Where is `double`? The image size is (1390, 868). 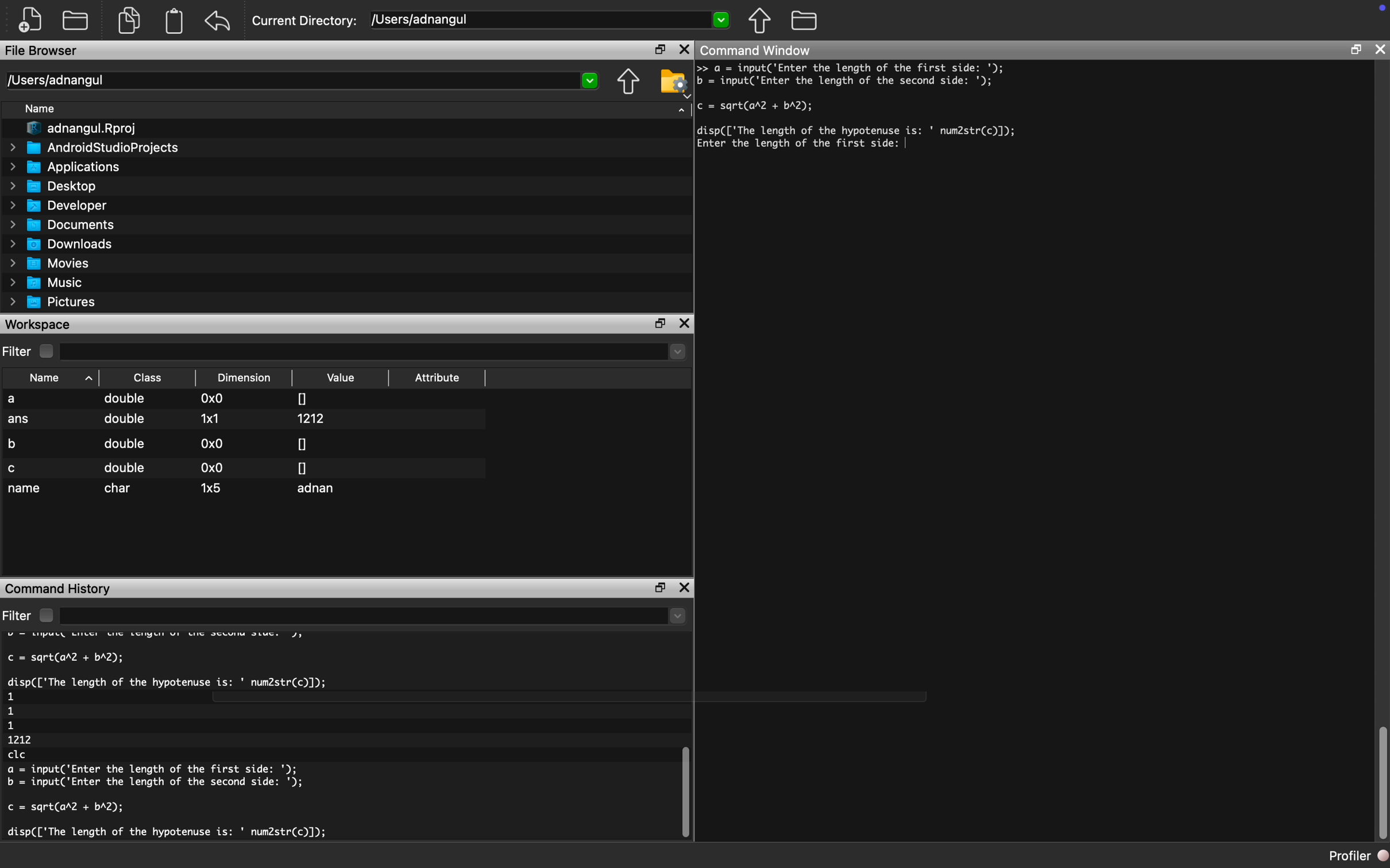 double is located at coordinates (123, 444).